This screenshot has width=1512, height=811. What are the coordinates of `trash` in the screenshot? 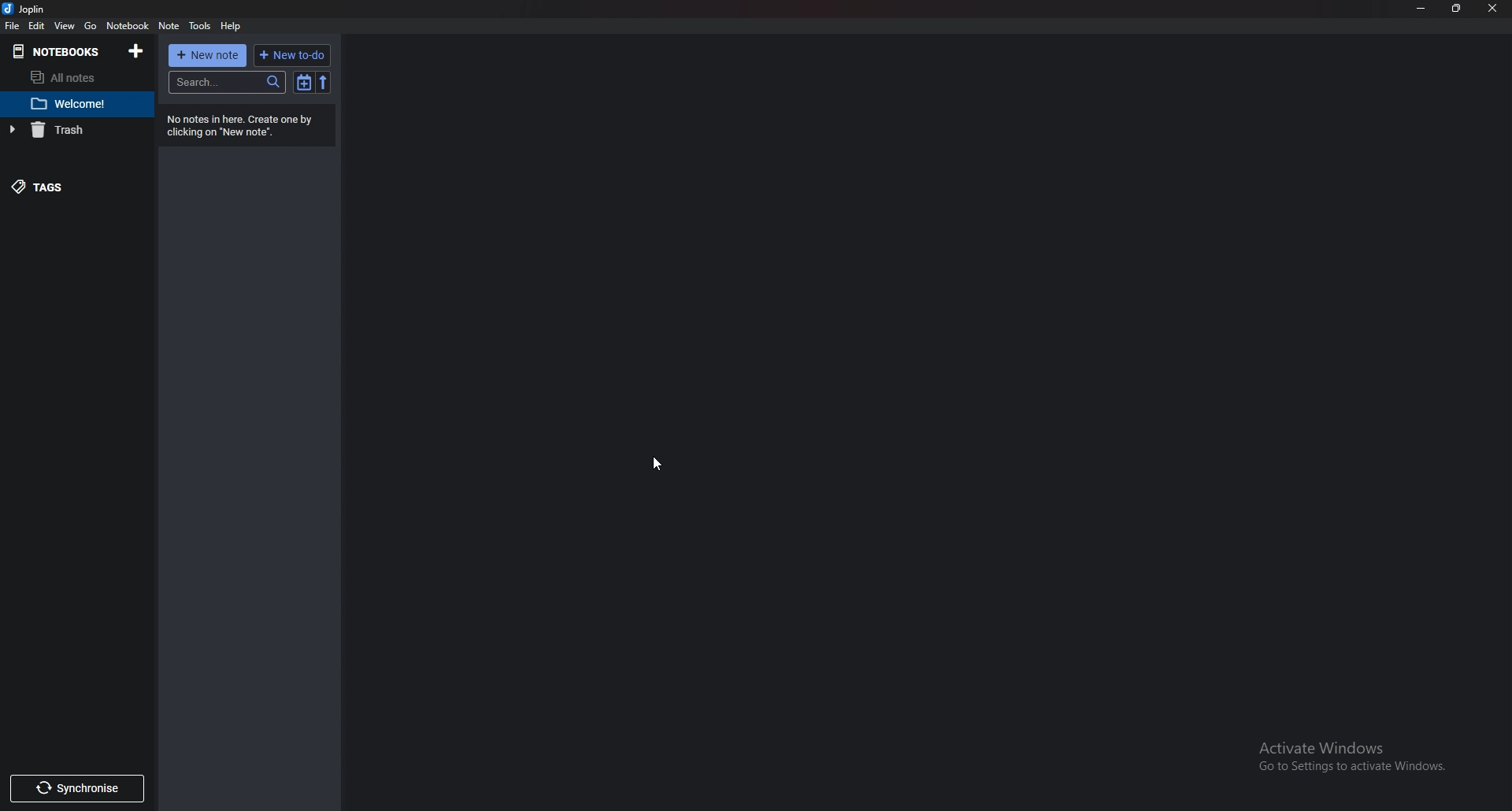 It's located at (71, 130).